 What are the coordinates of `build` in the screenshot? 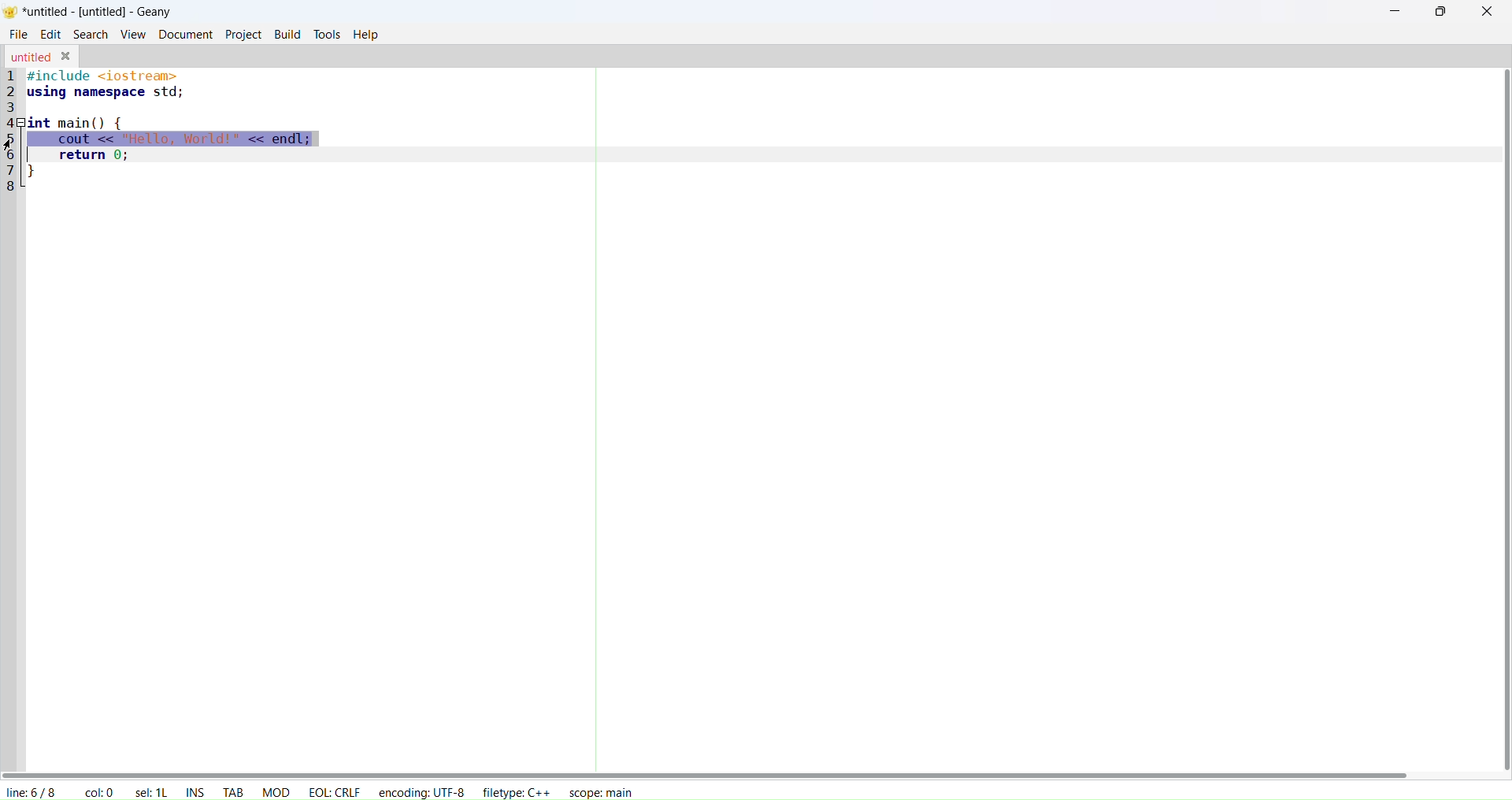 It's located at (287, 34).